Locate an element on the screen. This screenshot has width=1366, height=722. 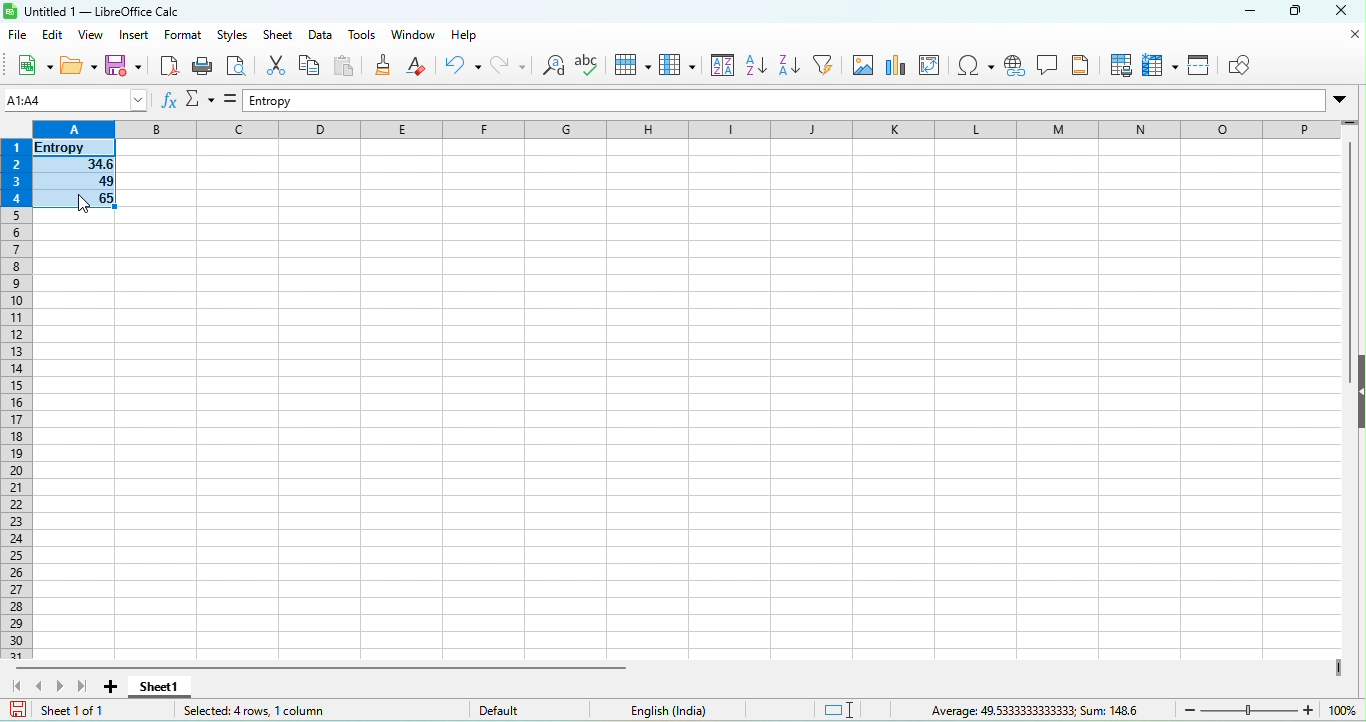
hyperlink is located at coordinates (1016, 68).